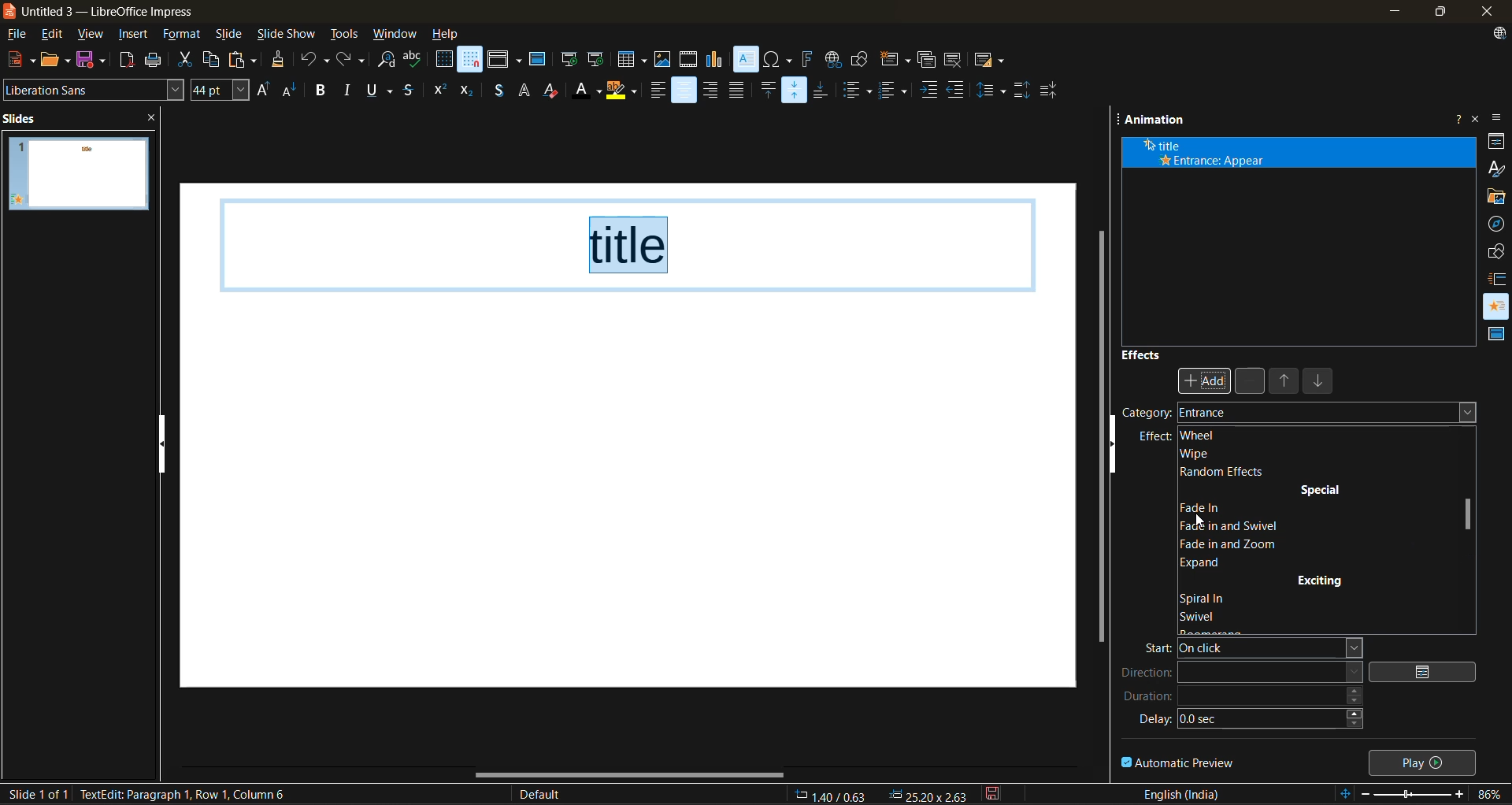 The width and height of the screenshot is (1512, 805). I want to click on increase font size, so click(263, 91).